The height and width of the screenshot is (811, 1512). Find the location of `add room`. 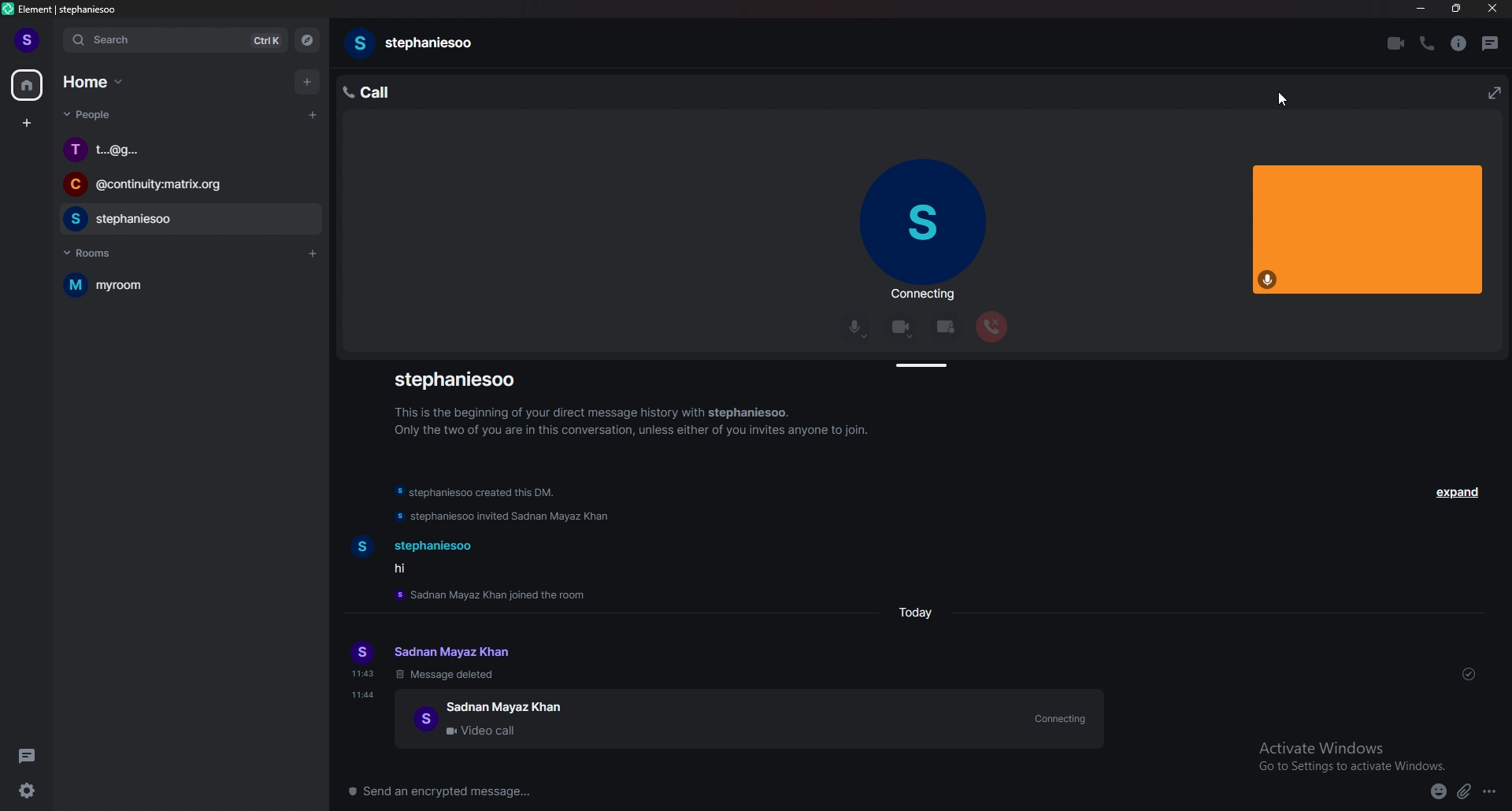

add room is located at coordinates (314, 254).